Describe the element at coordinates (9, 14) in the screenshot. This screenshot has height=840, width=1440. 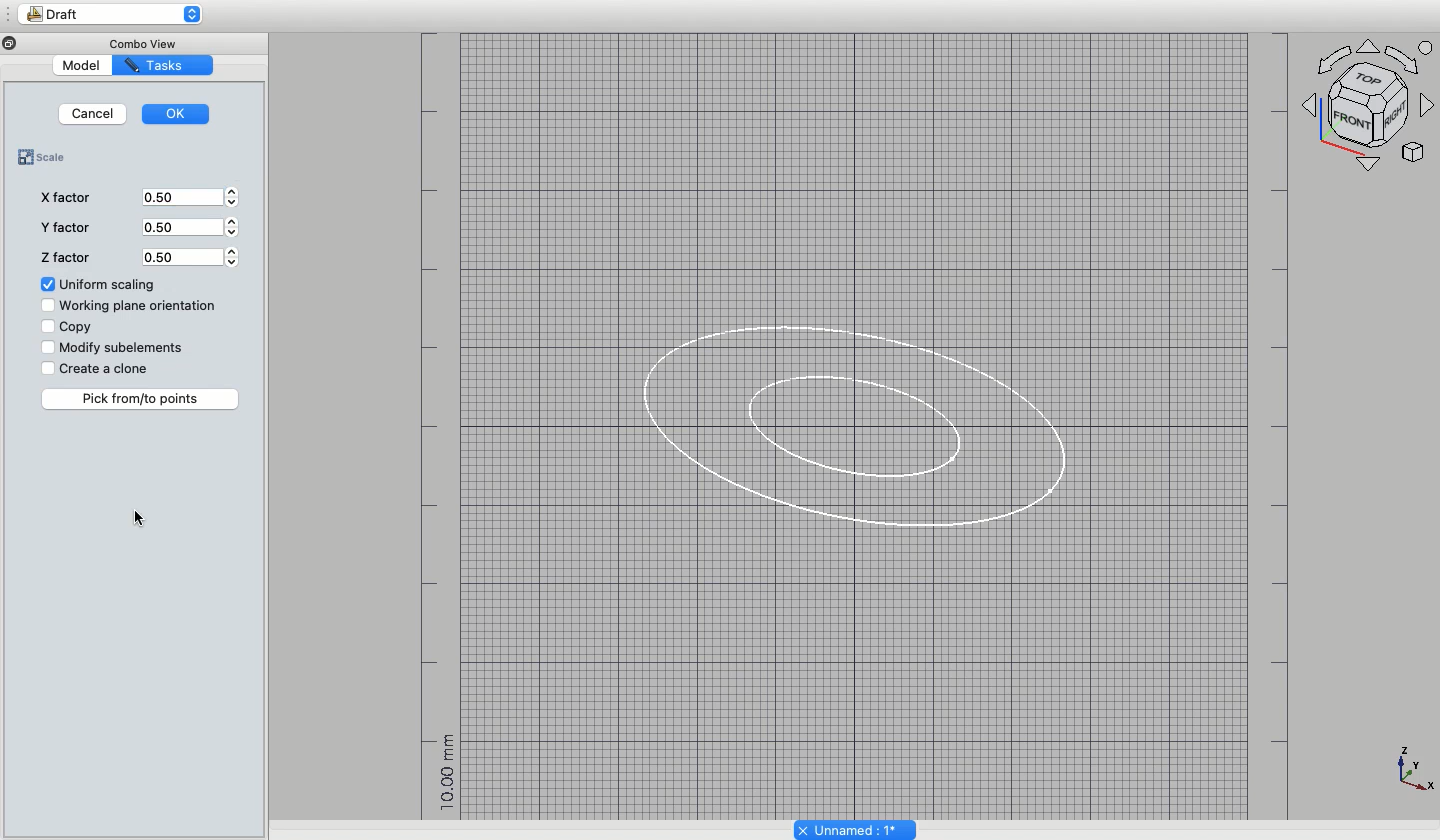
I see `Sidebar` at that location.